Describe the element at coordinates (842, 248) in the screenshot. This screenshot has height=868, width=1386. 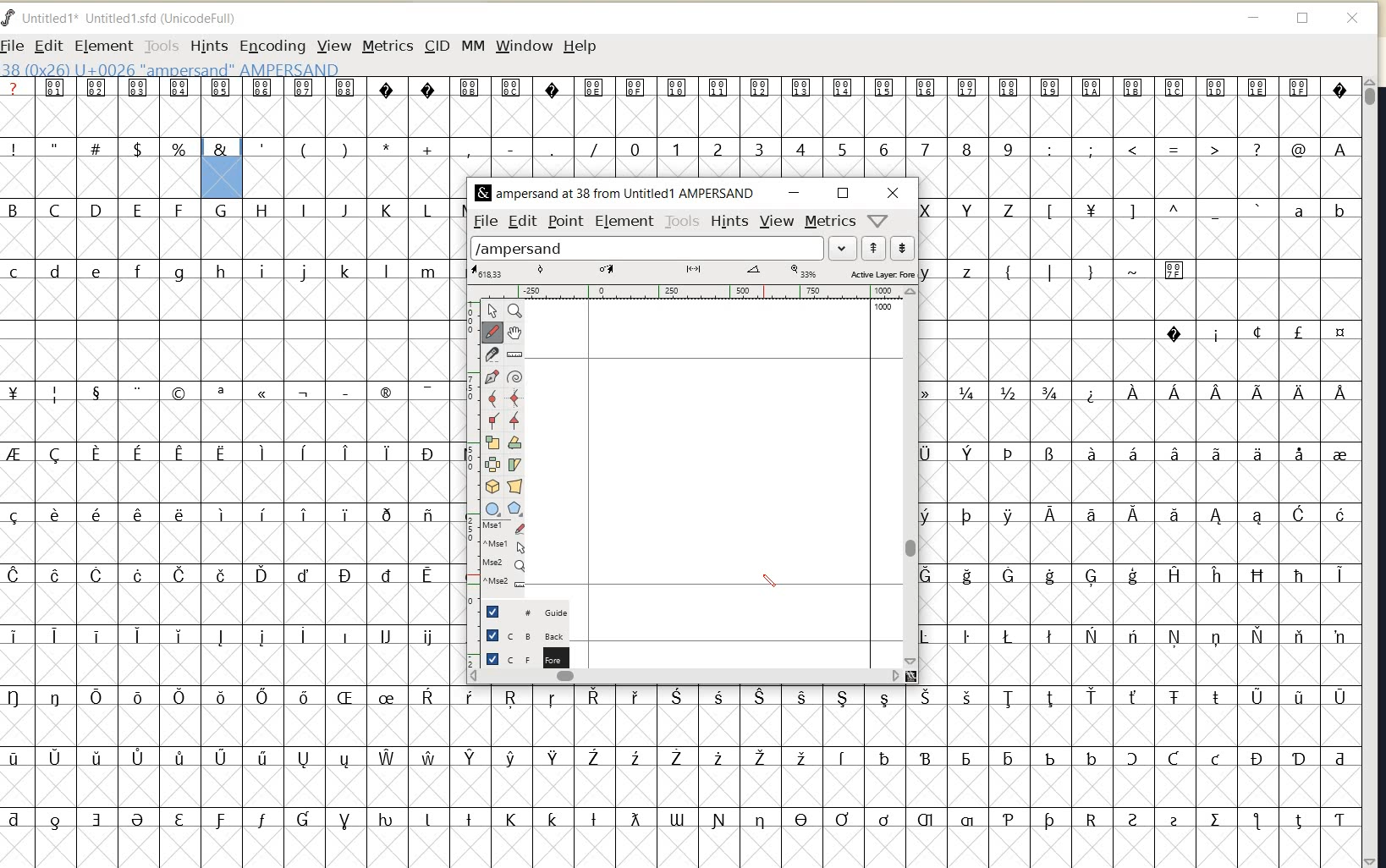
I see `expand` at that location.